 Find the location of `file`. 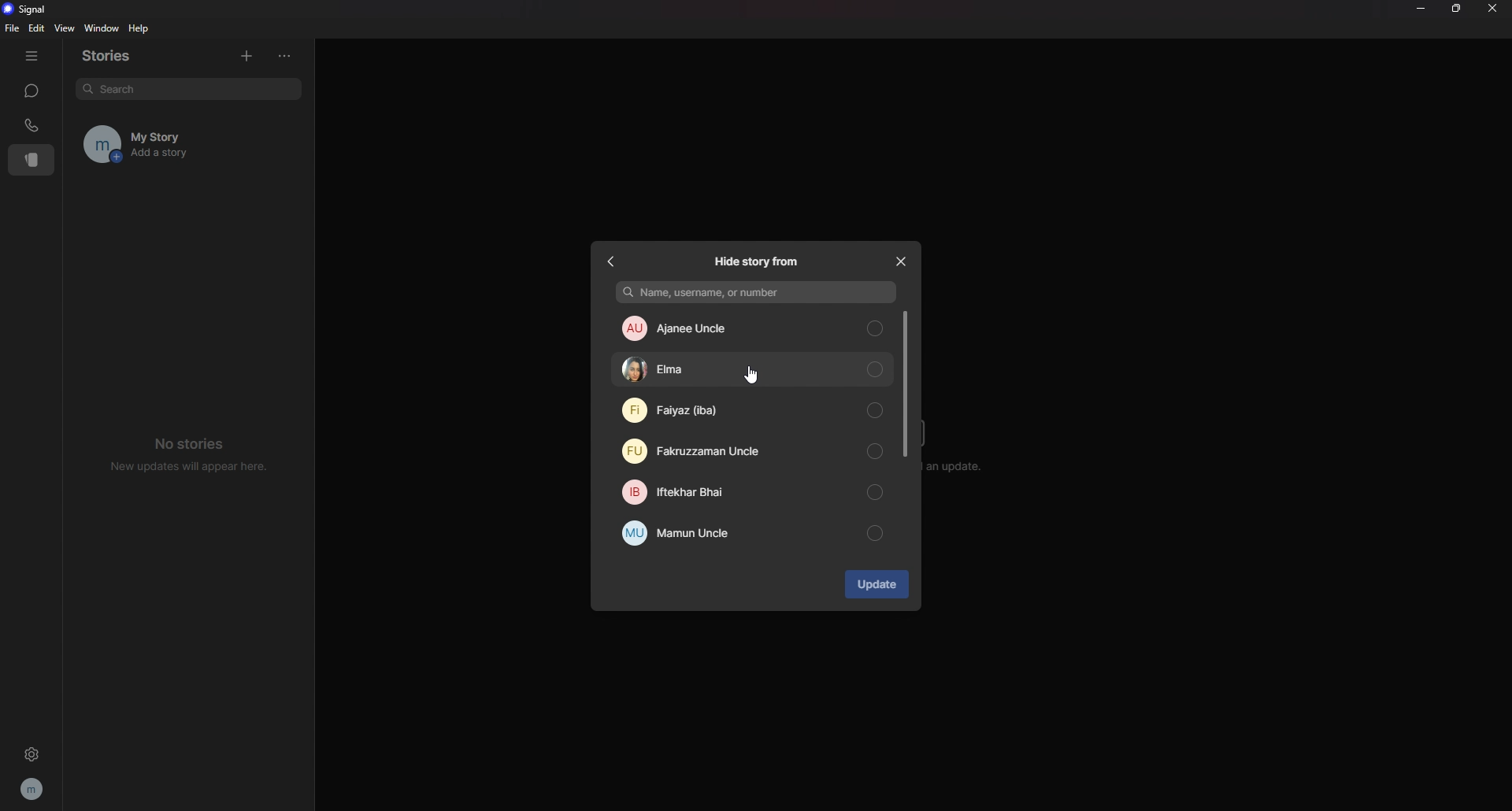

file is located at coordinates (14, 28).